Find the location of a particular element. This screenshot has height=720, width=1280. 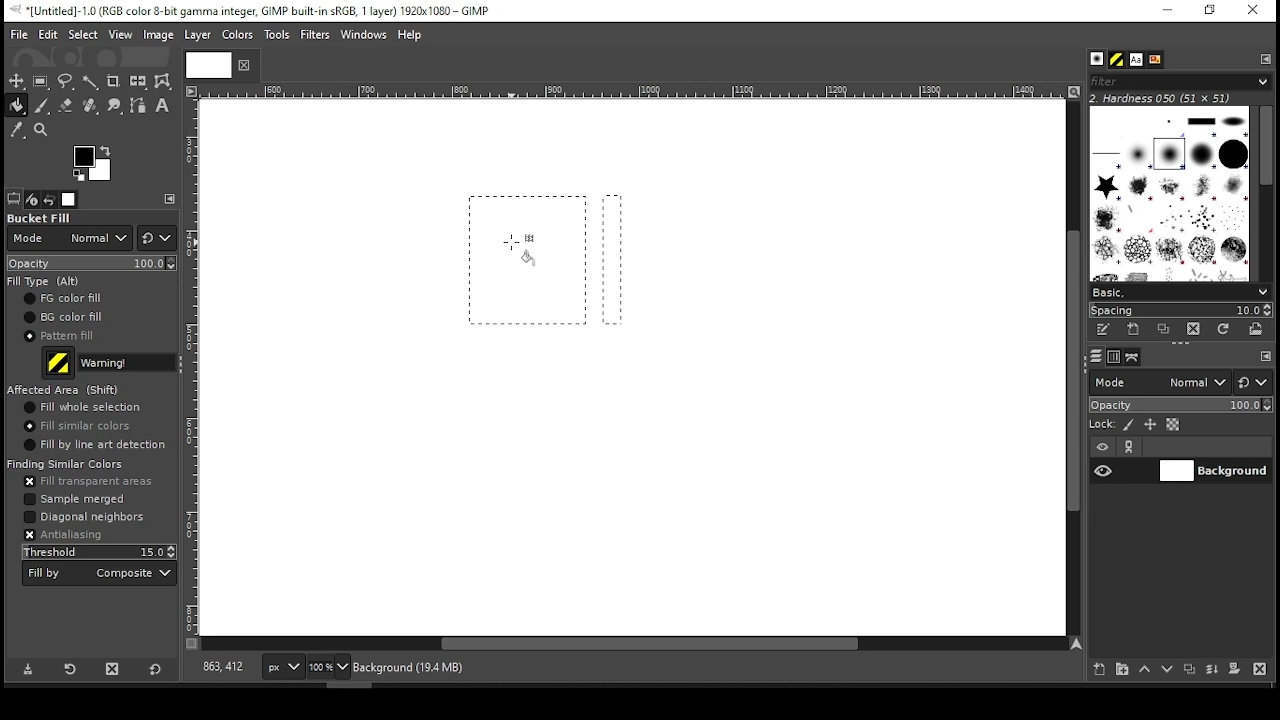

zoom level is located at coordinates (328, 669).